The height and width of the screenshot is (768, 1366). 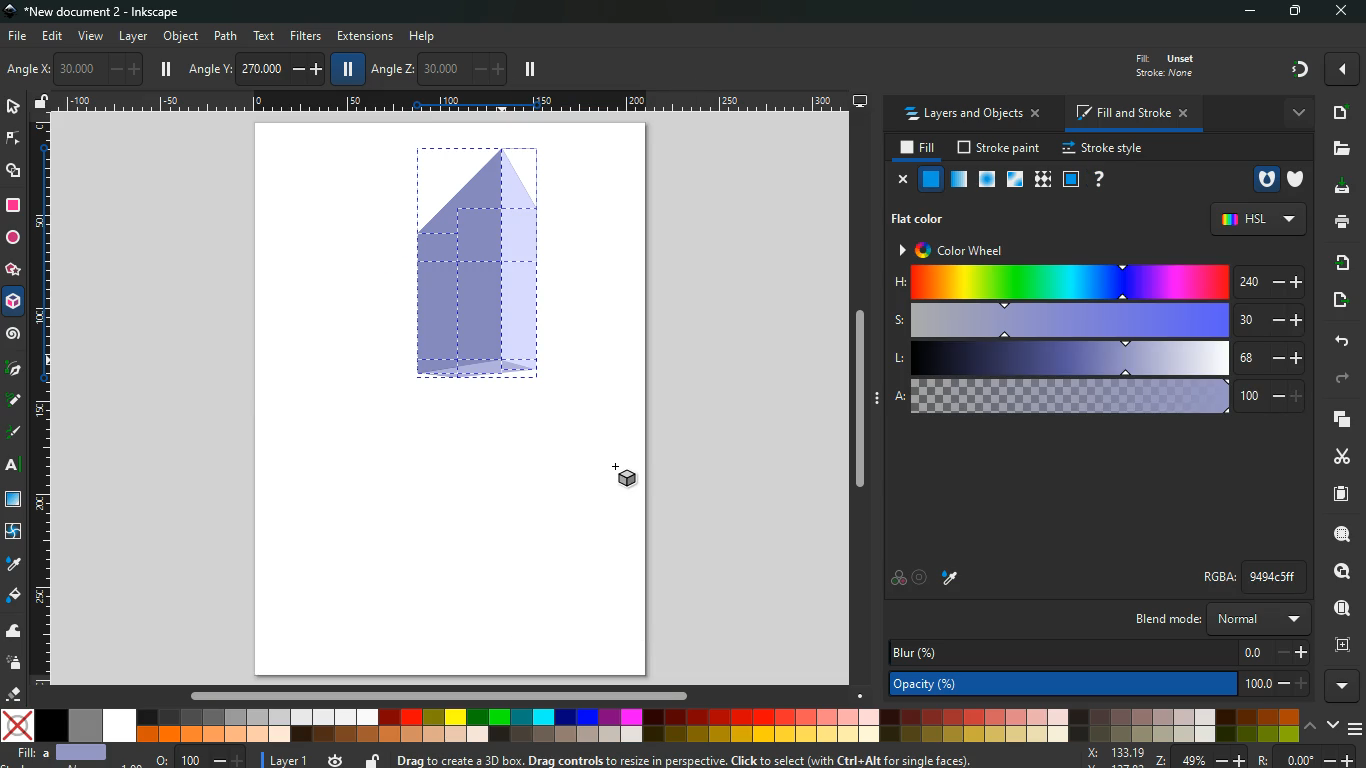 I want to click on window, so click(x=1013, y=180).